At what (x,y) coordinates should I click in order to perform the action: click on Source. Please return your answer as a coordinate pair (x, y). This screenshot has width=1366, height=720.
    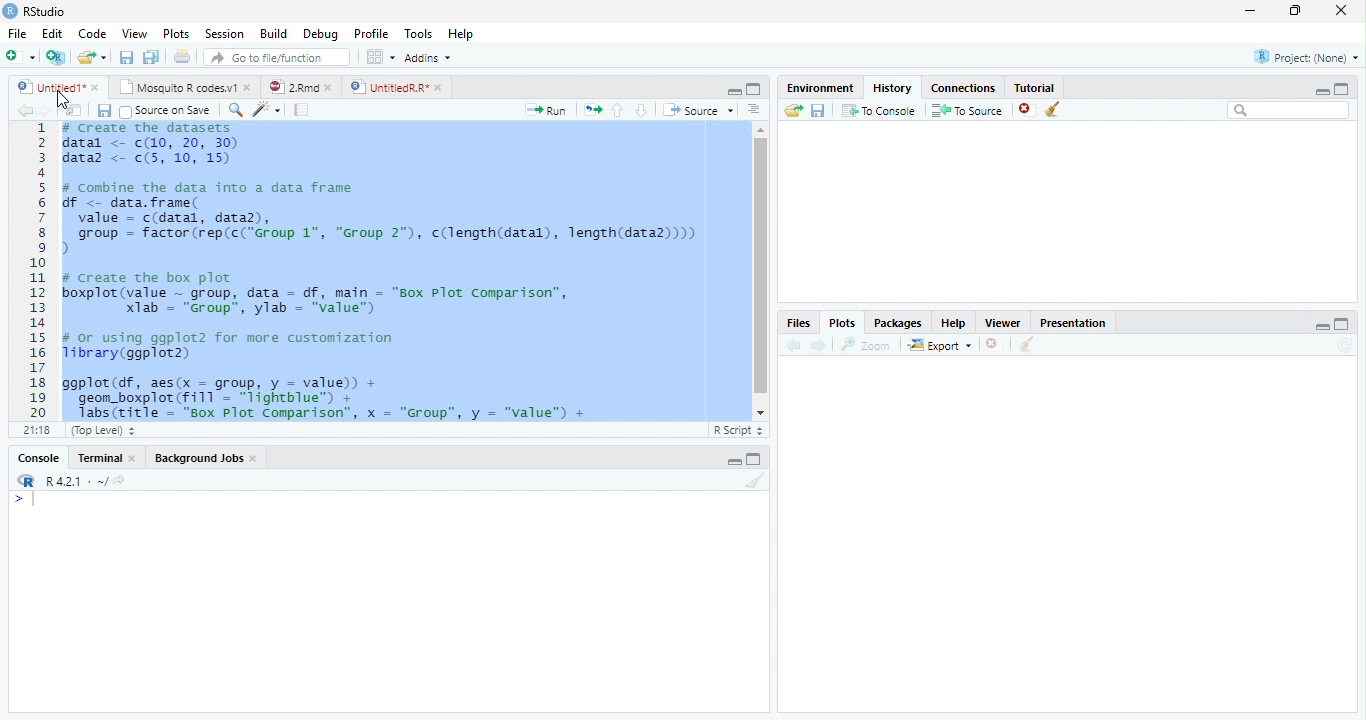
    Looking at the image, I should click on (699, 110).